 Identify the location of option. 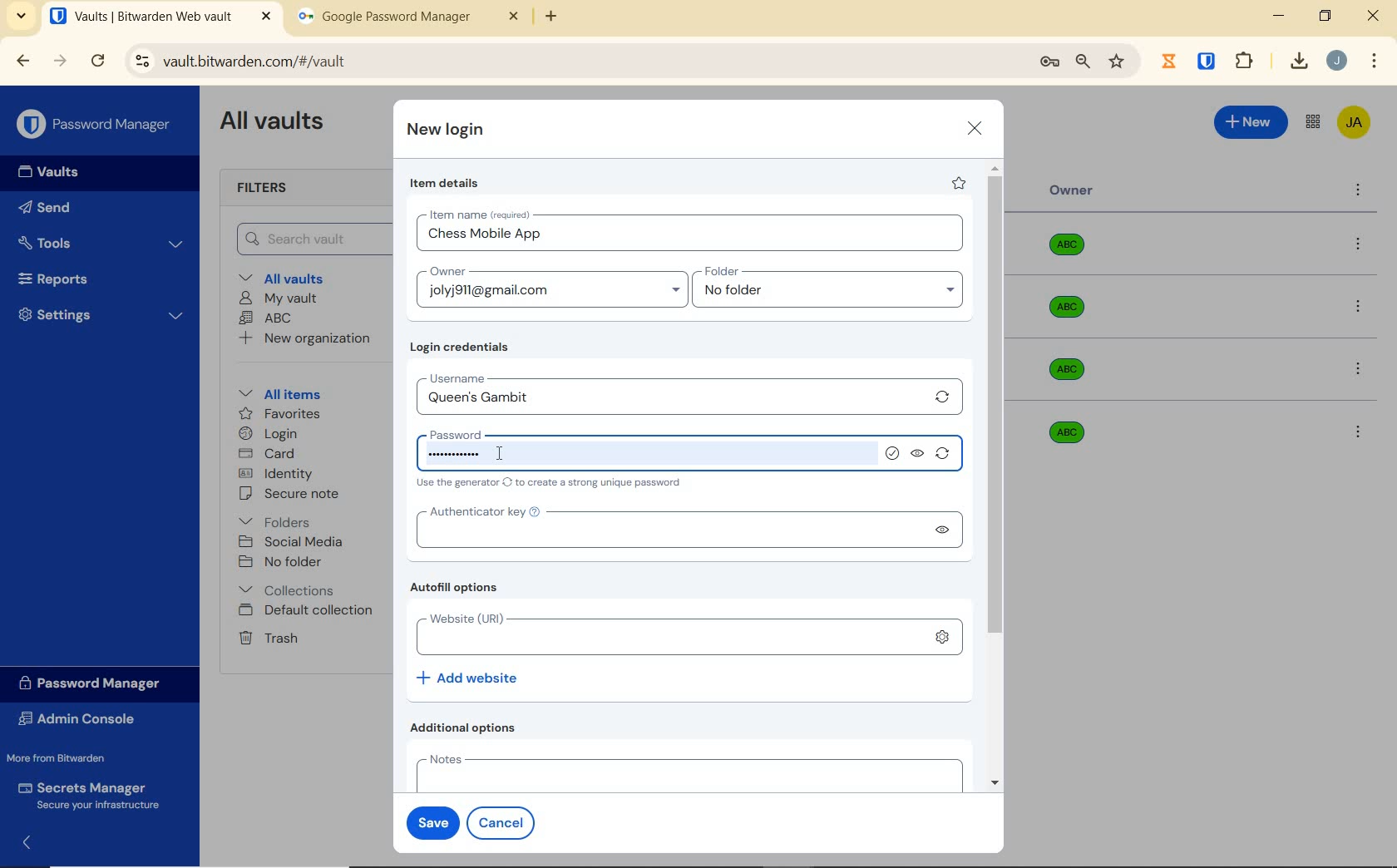
(1361, 245).